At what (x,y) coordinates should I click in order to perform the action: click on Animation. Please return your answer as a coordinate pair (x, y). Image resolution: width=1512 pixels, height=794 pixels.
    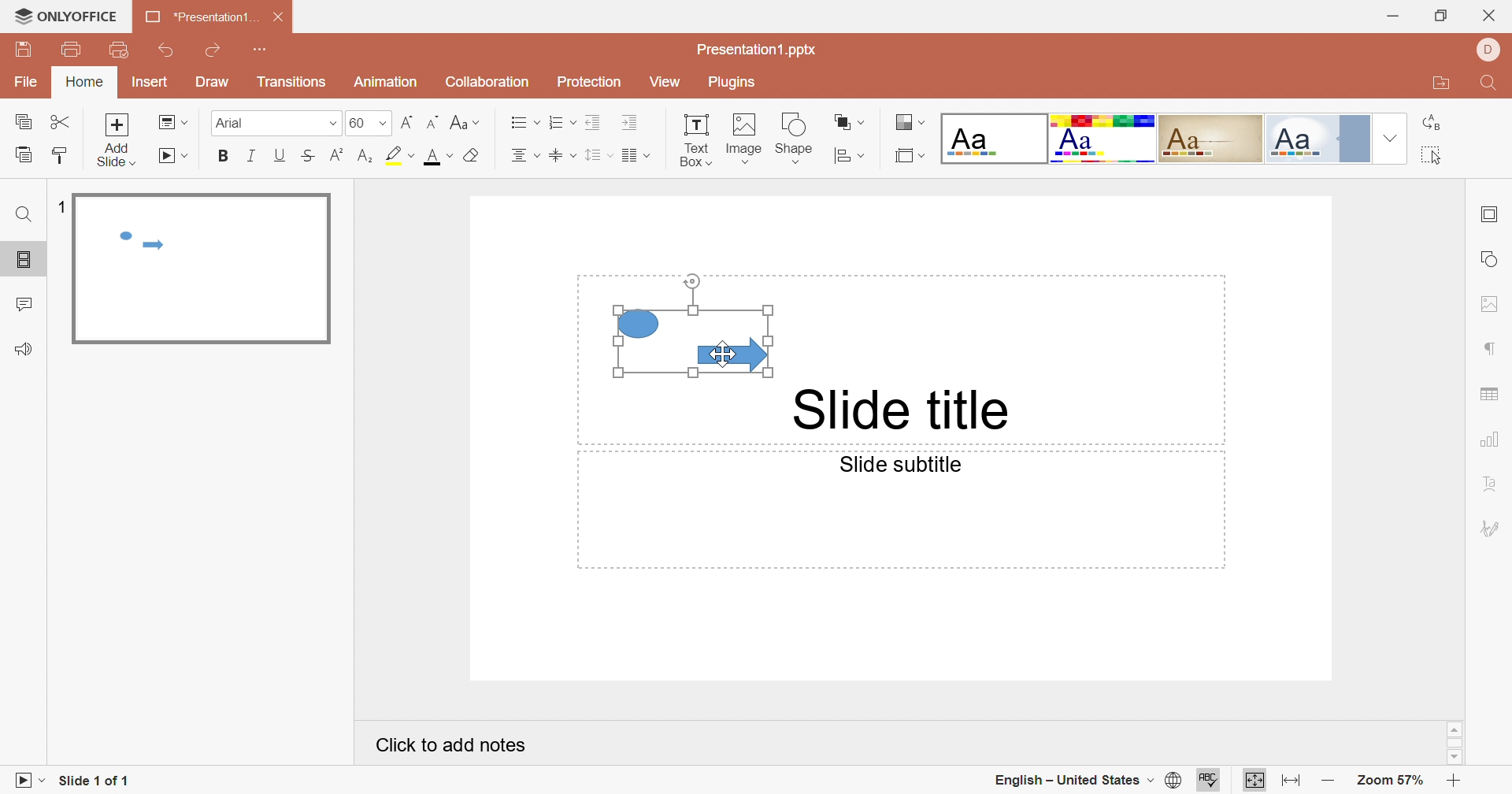
    Looking at the image, I should click on (387, 83).